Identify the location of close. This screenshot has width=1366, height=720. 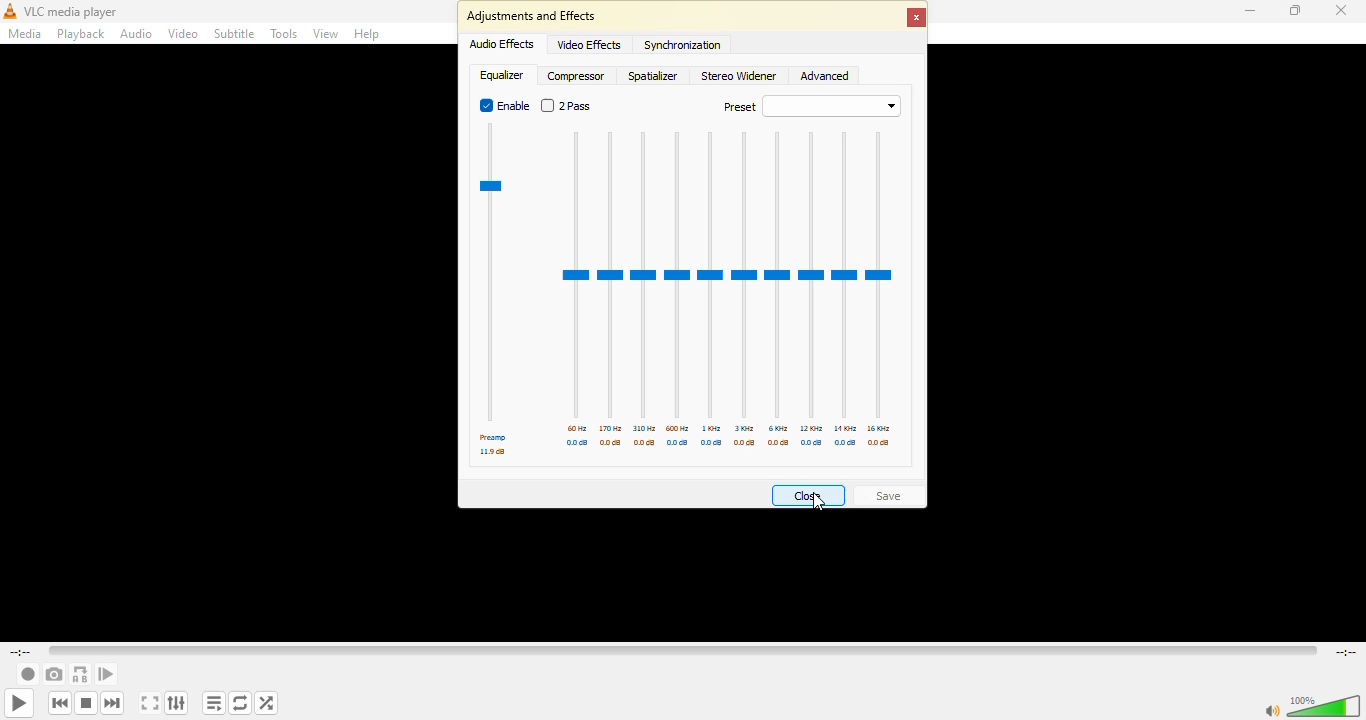
(1345, 10).